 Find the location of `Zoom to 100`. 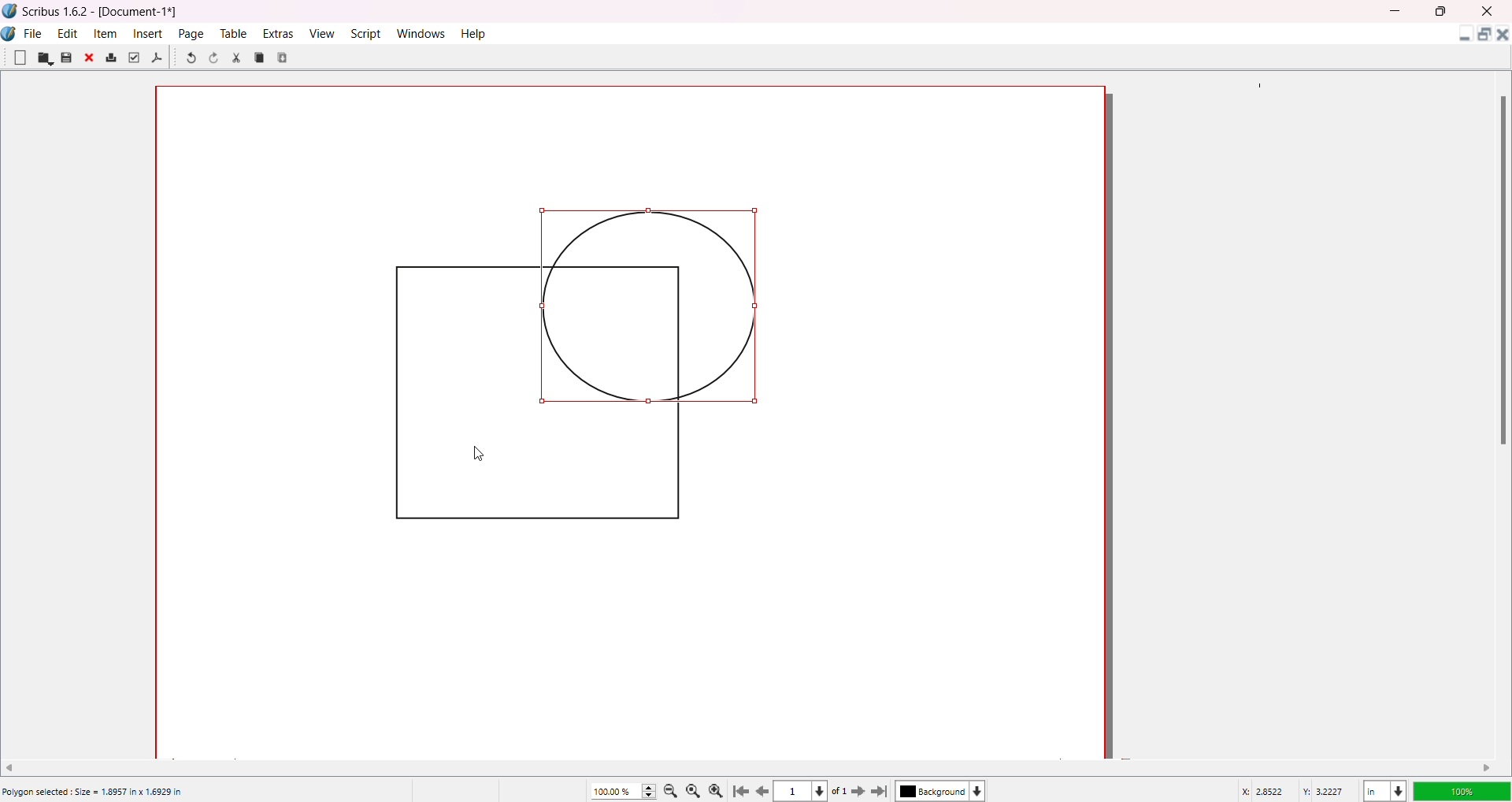

Zoom to 100 is located at coordinates (696, 789).